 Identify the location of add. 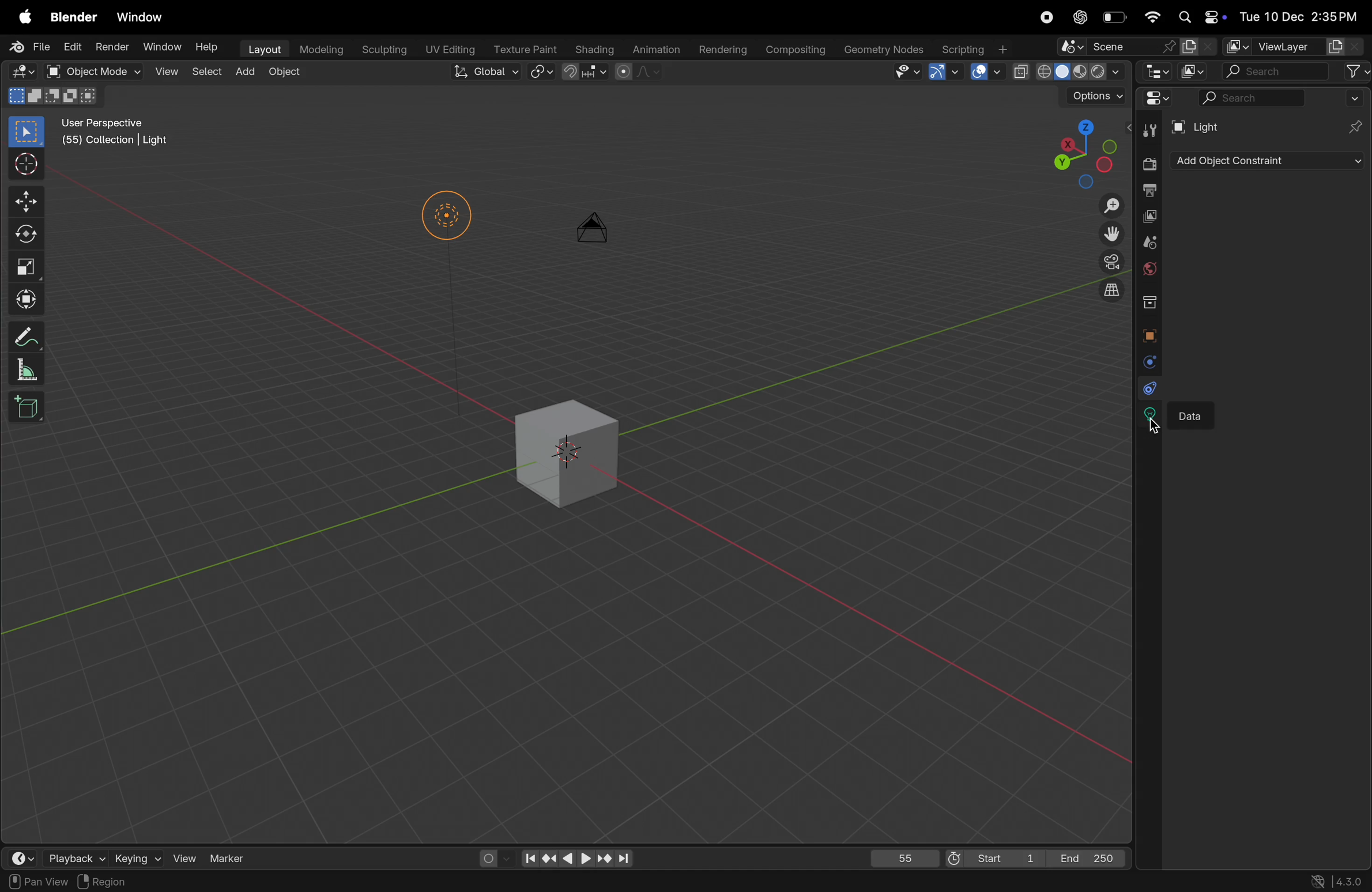
(247, 73).